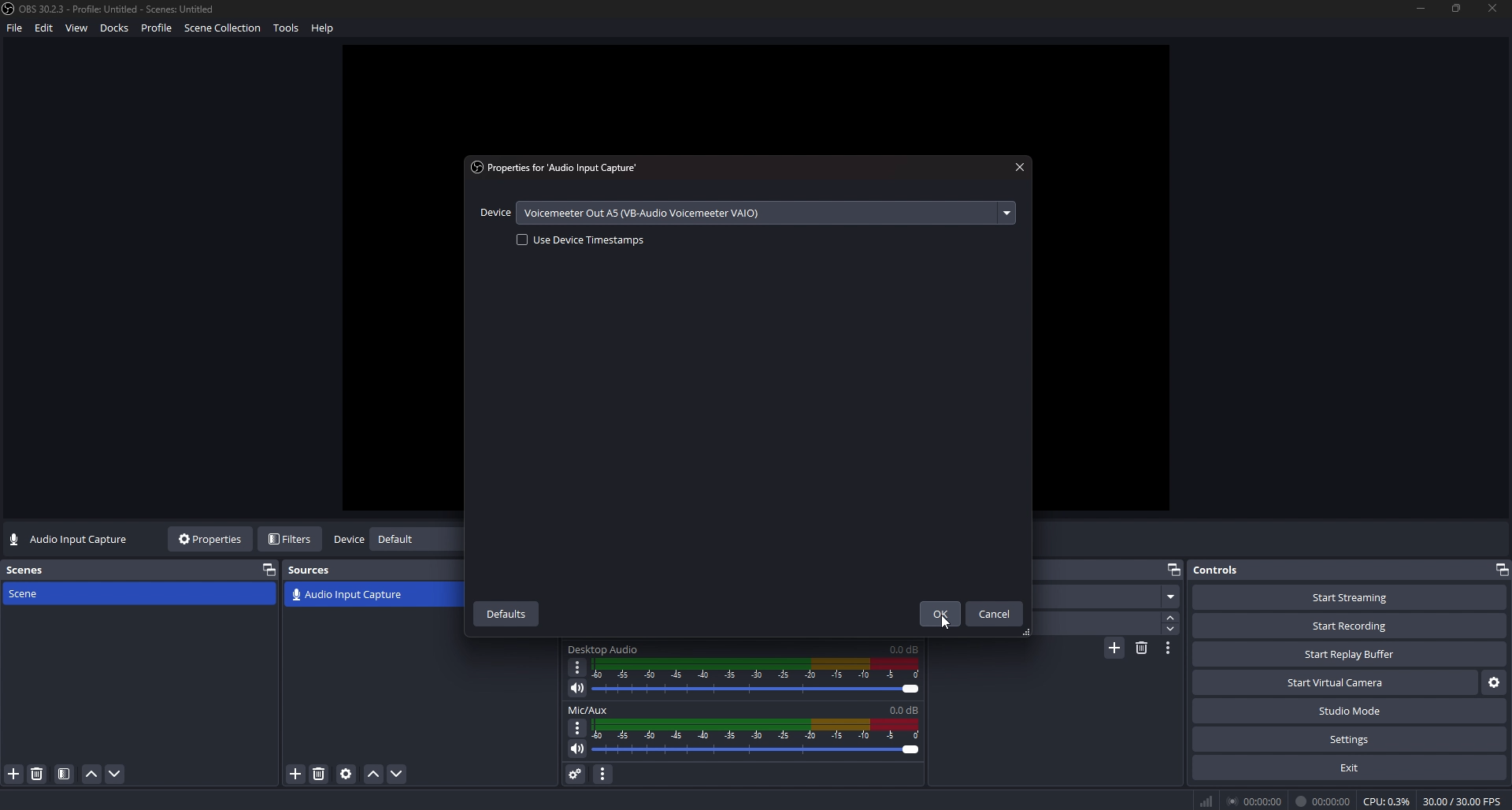 This screenshot has height=810, width=1512. What do you see at coordinates (29, 570) in the screenshot?
I see `scenes` at bounding box center [29, 570].